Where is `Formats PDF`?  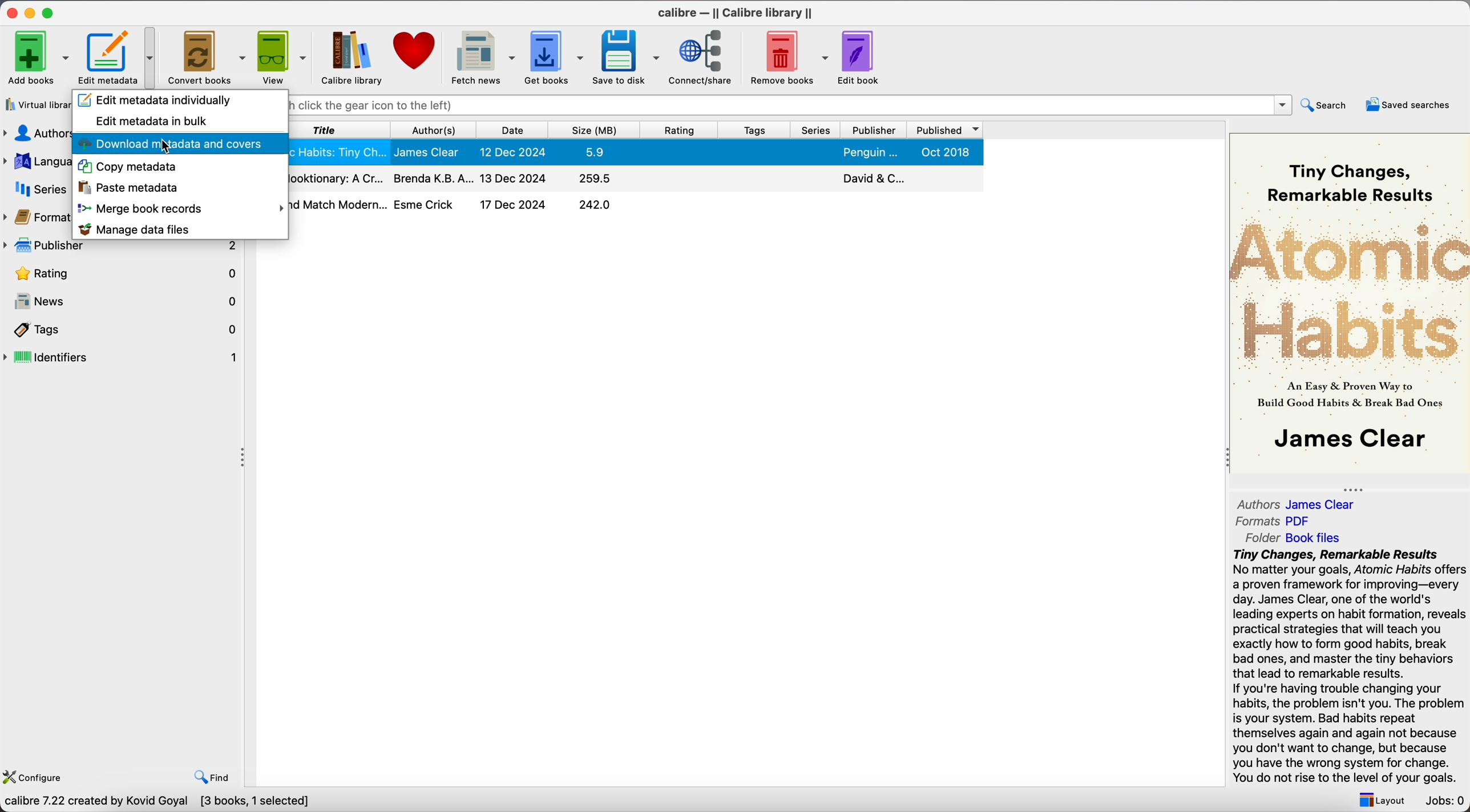 Formats PDF is located at coordinates (1273, 523).